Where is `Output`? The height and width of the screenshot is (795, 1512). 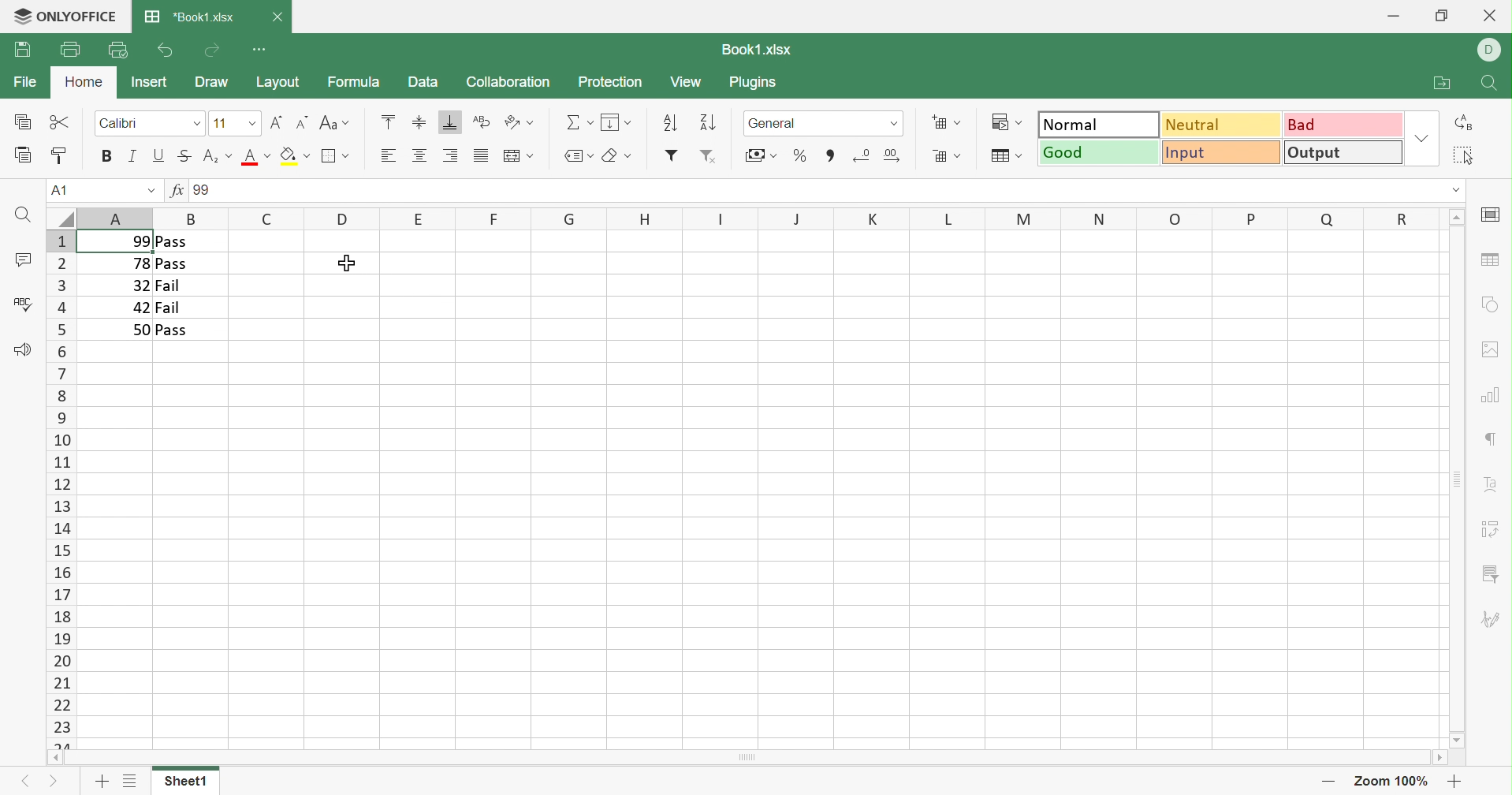 Output is located at coordinates (1345, 151).